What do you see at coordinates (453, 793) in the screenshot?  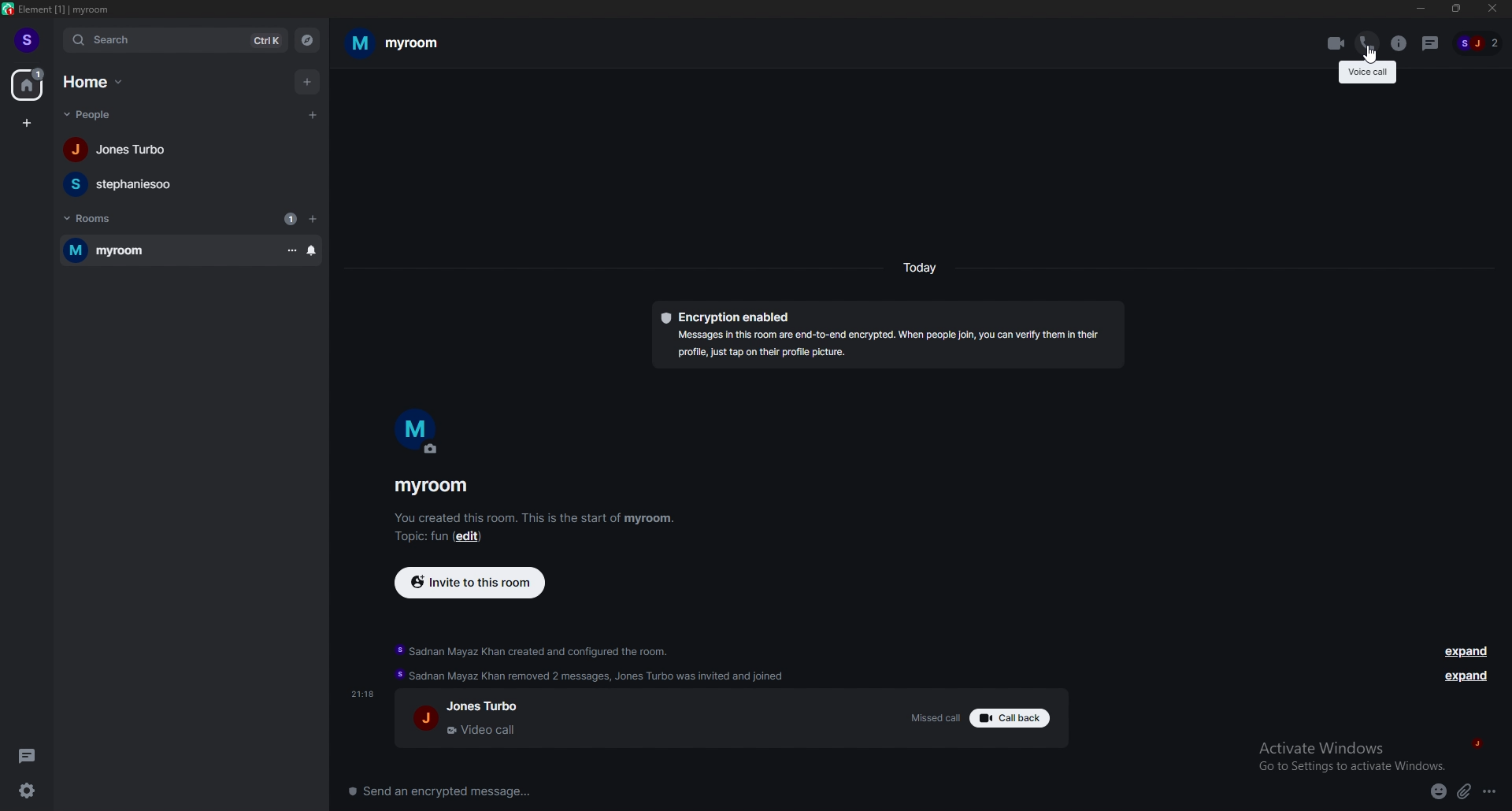 I see `send an encrypted message` at bounding box center [453, 793].